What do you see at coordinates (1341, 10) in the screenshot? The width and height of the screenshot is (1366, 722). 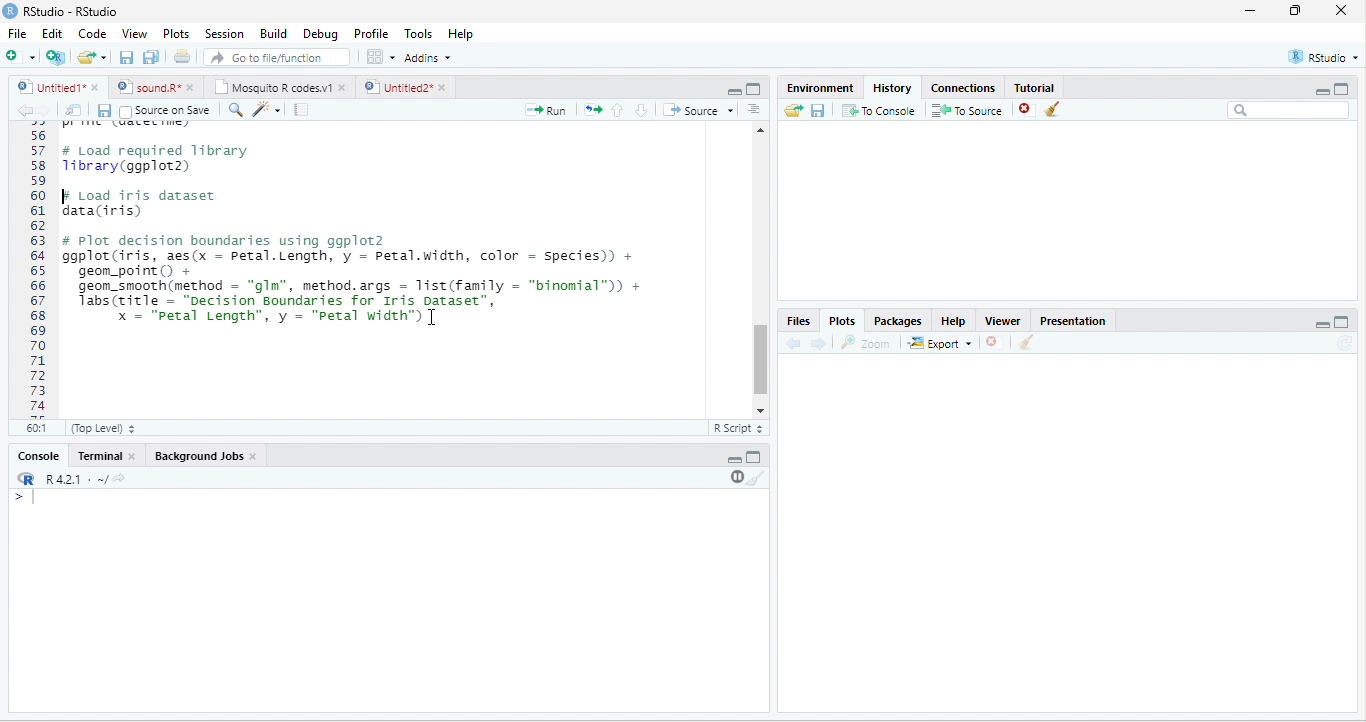 I see `close` at bounding box center [1341, 10].